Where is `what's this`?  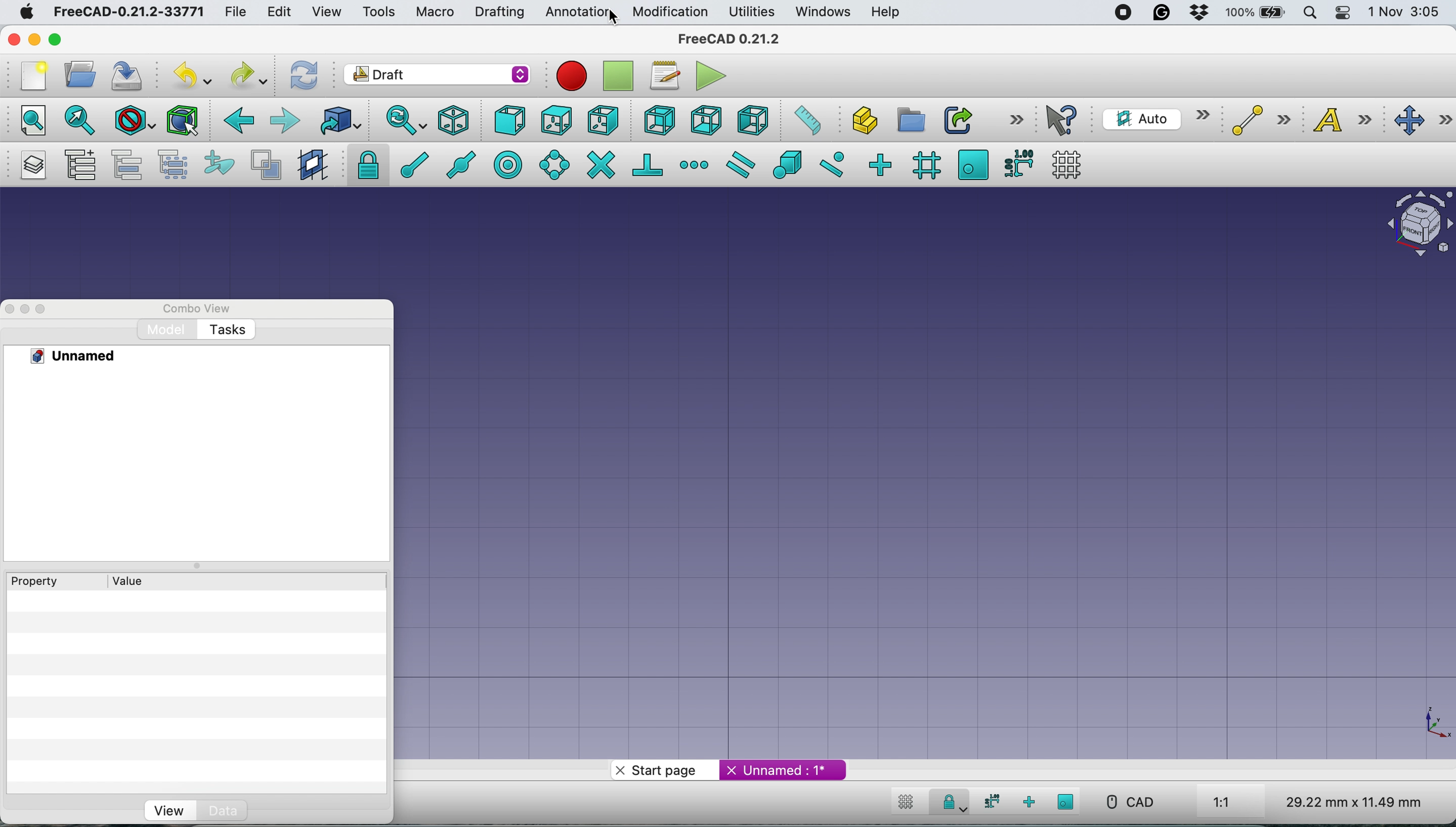
what's this is located at coordinates (1062, 119).